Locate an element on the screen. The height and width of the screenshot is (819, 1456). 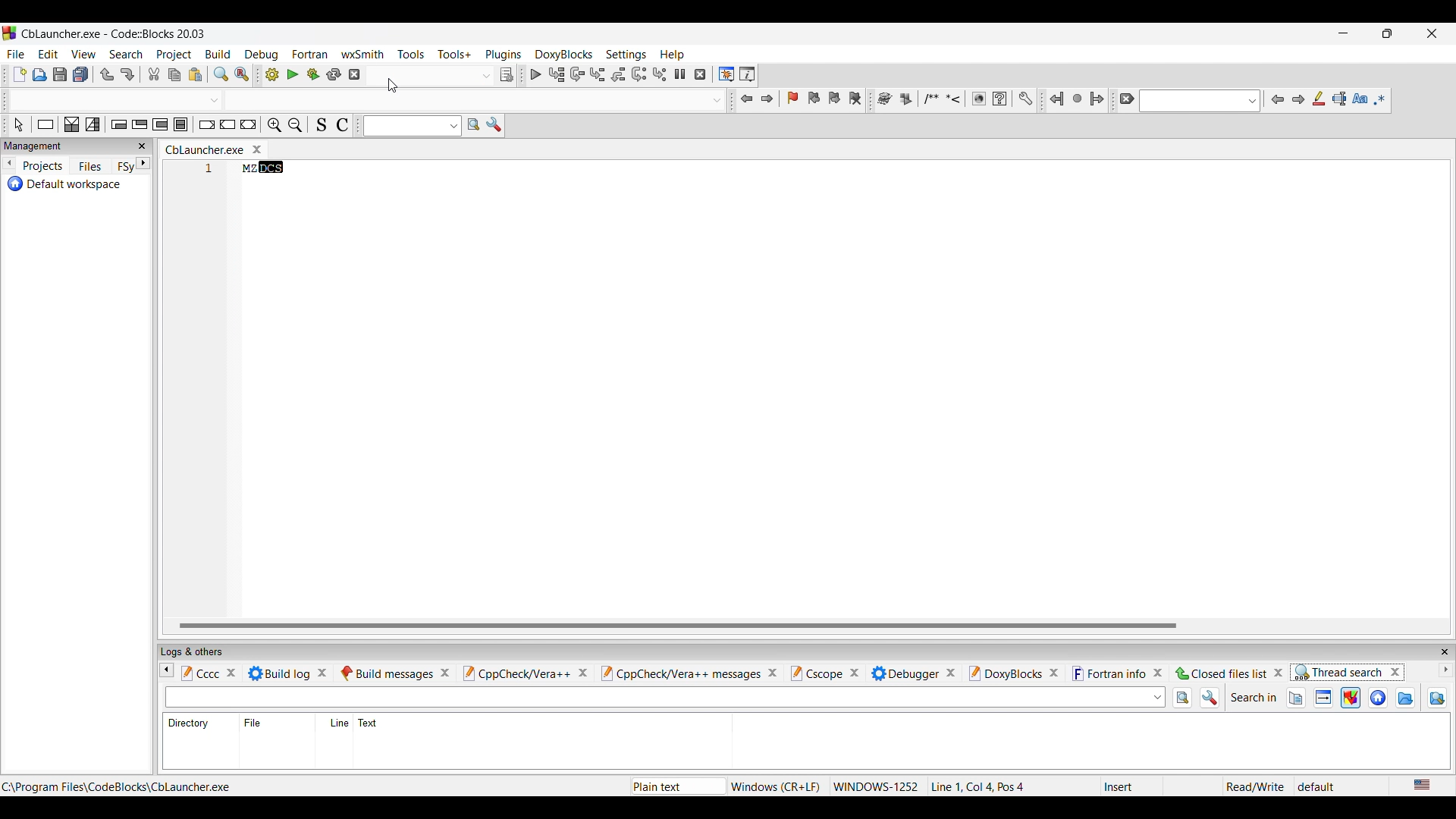
Break instruction is located at coordinates (207, 124).